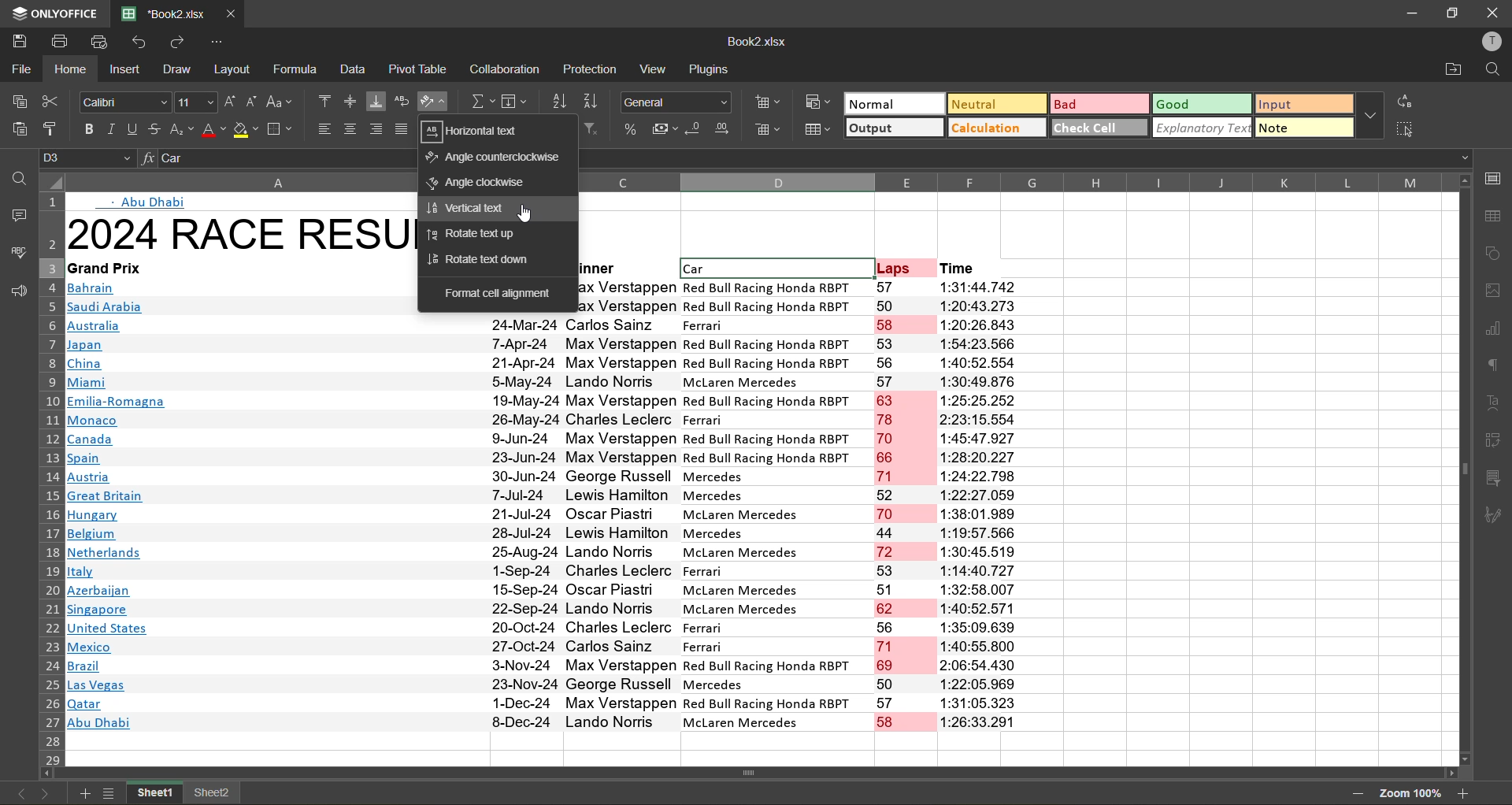  What do you see at coordinates (493, 182) in the screenshot?
I see `angle clockwise` at bounding box center [493, 182].